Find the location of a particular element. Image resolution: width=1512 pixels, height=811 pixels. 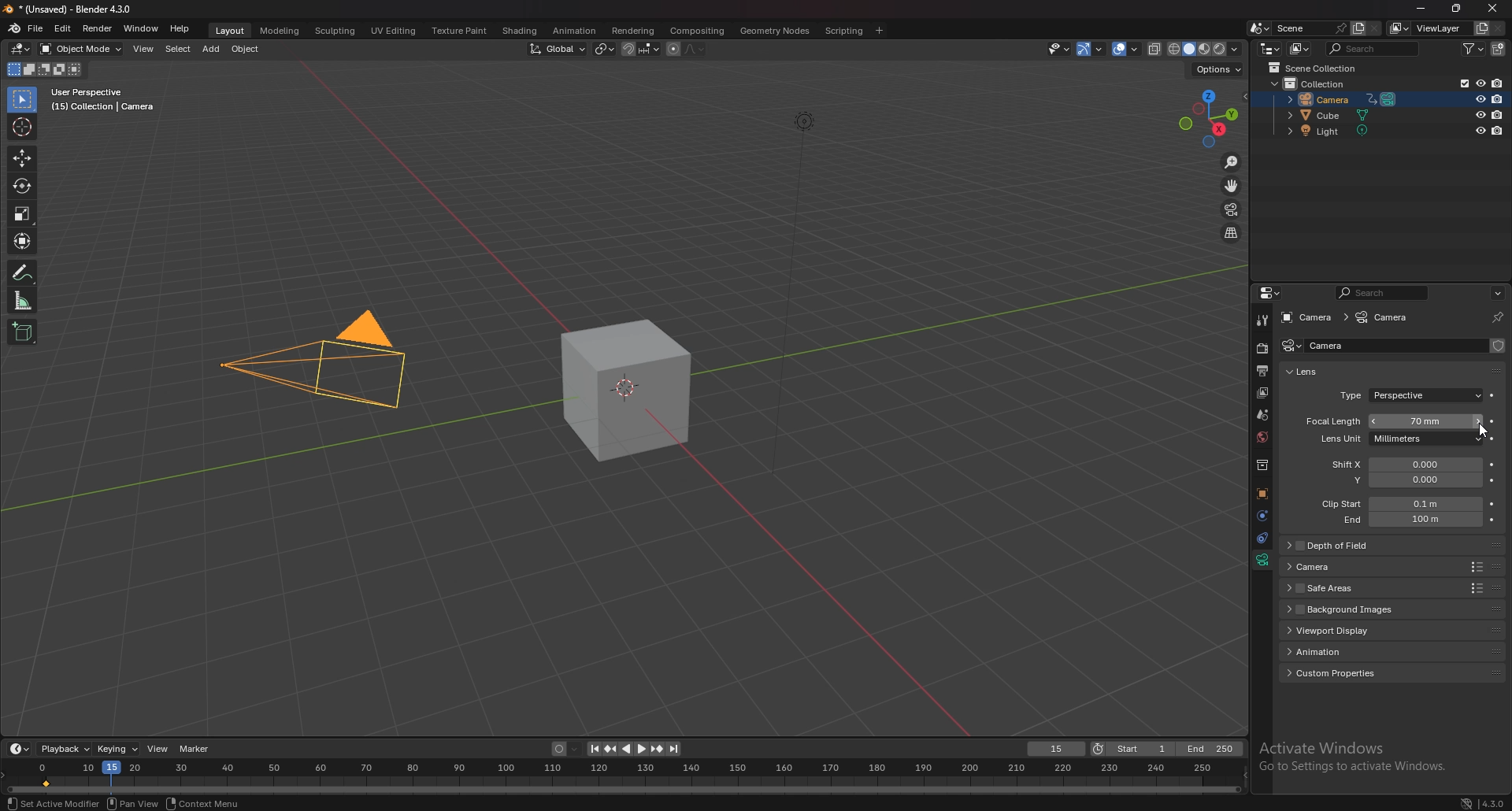

animate property is located at coordinates (1495, 466).